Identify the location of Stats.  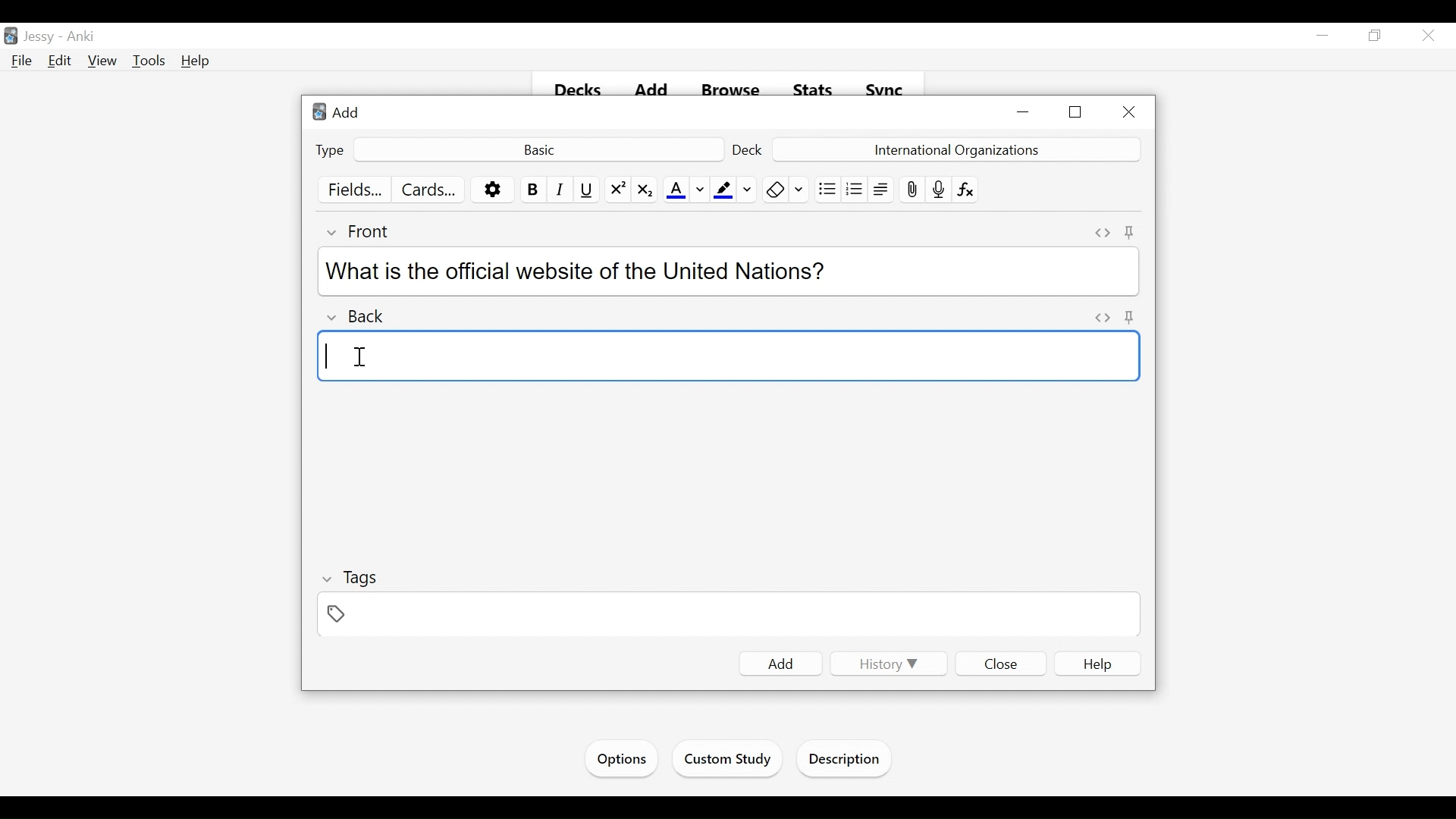
(811, 88).